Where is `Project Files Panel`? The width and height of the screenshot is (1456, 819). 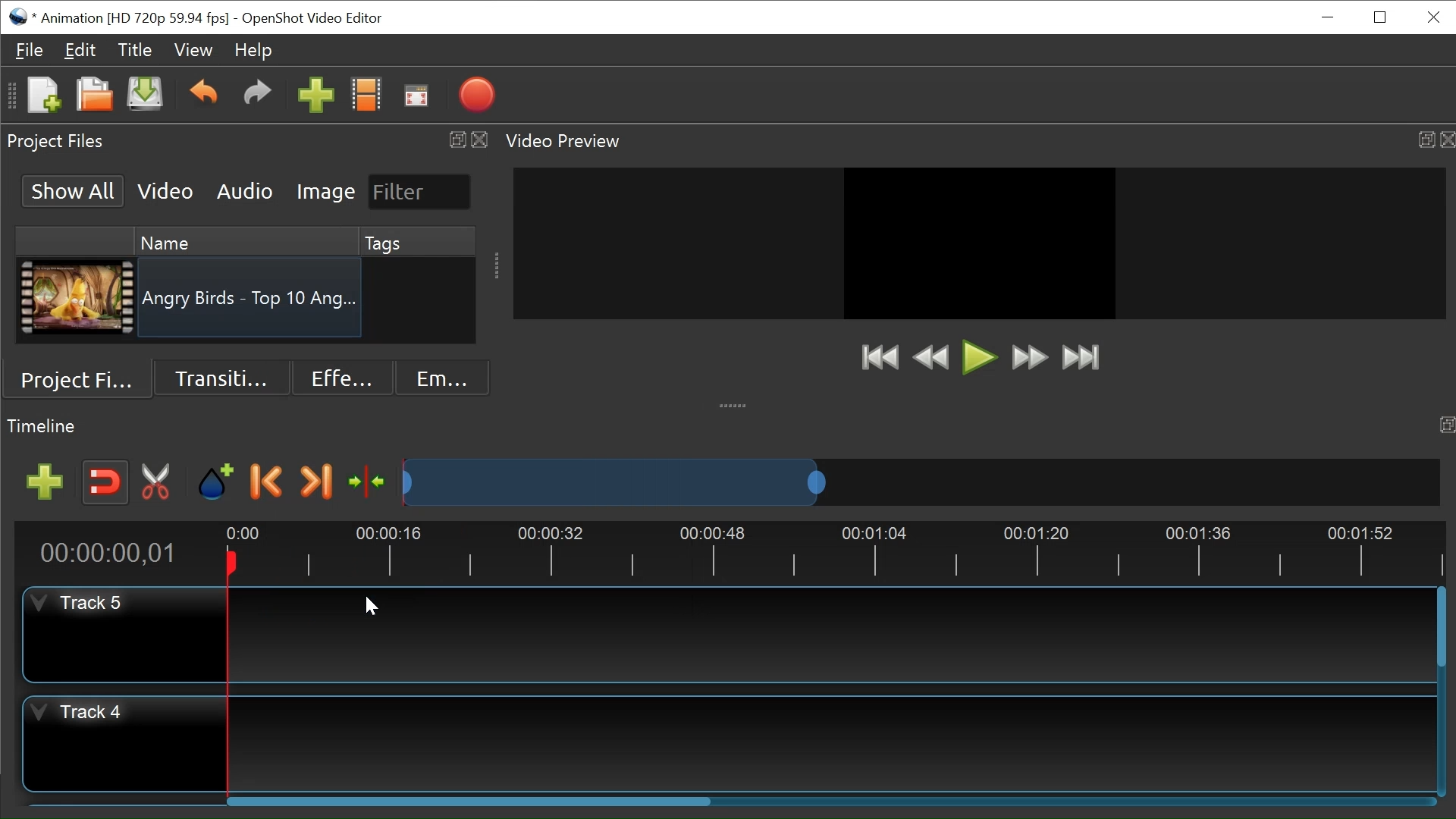 Project Files Panel is located at coordinates (58, 142).